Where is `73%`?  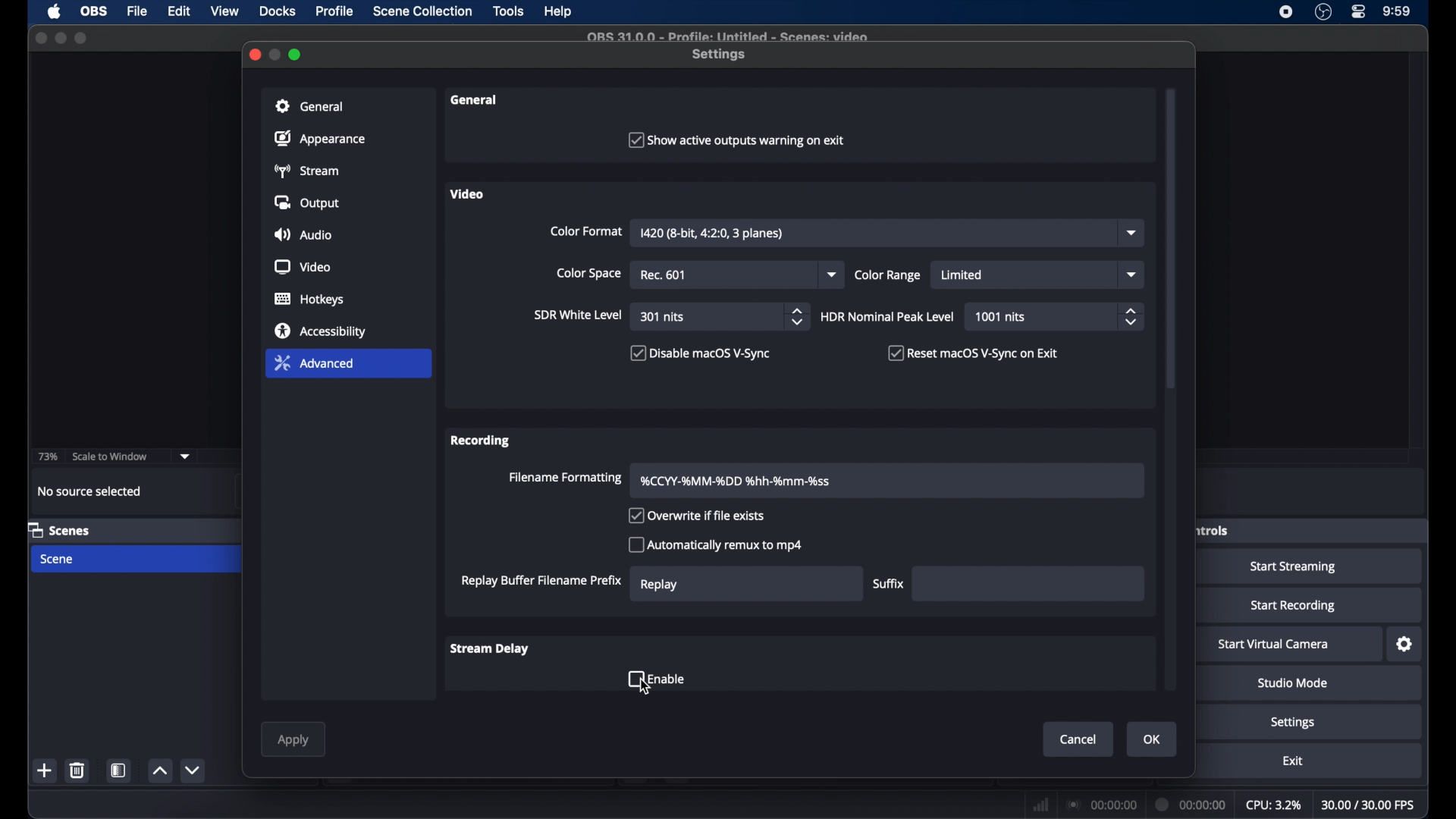
73% is located at coordinates (46, 457).